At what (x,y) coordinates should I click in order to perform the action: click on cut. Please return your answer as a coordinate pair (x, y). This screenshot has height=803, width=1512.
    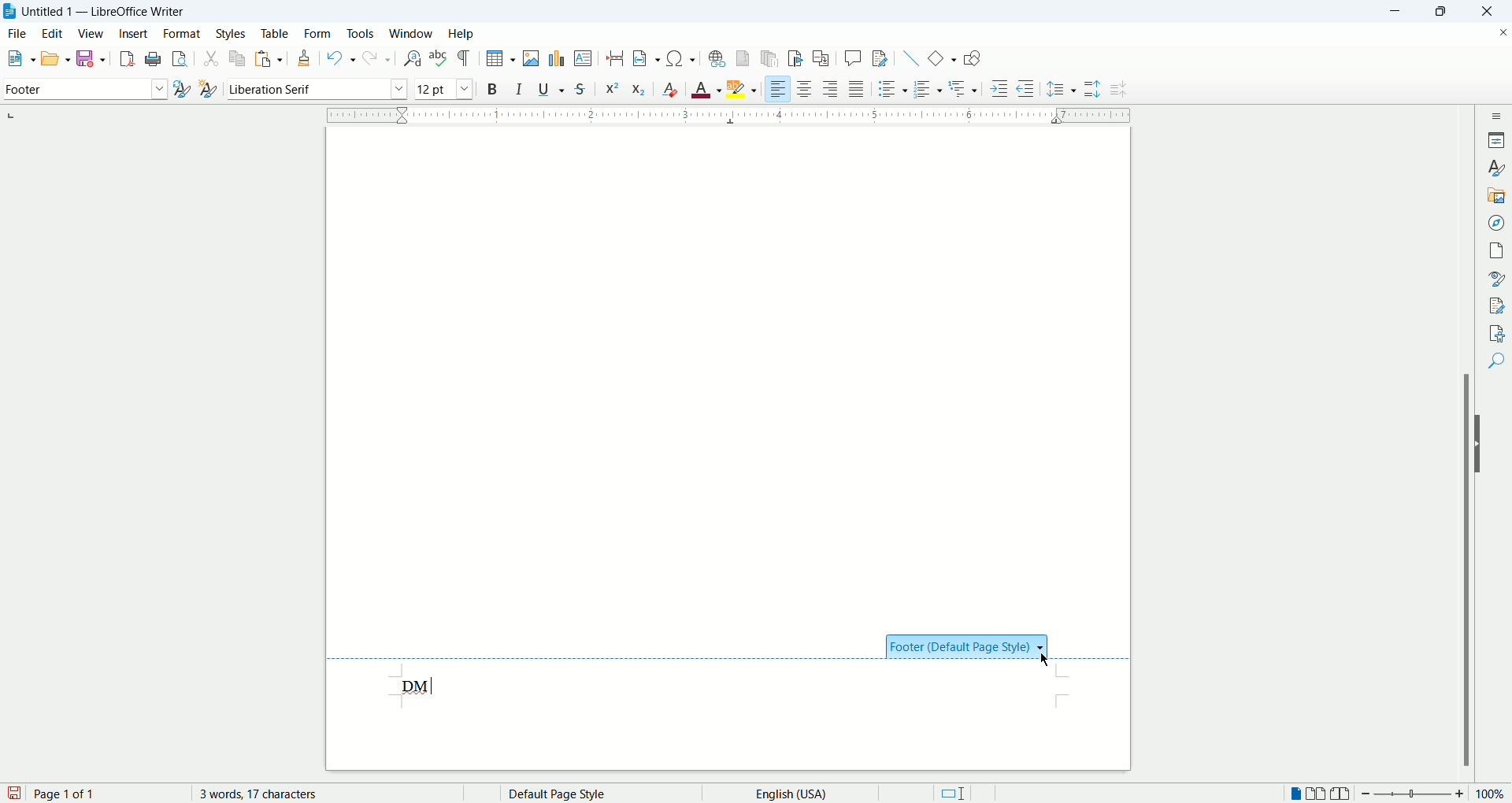
    Looking at the image, I should click on (211, 60).